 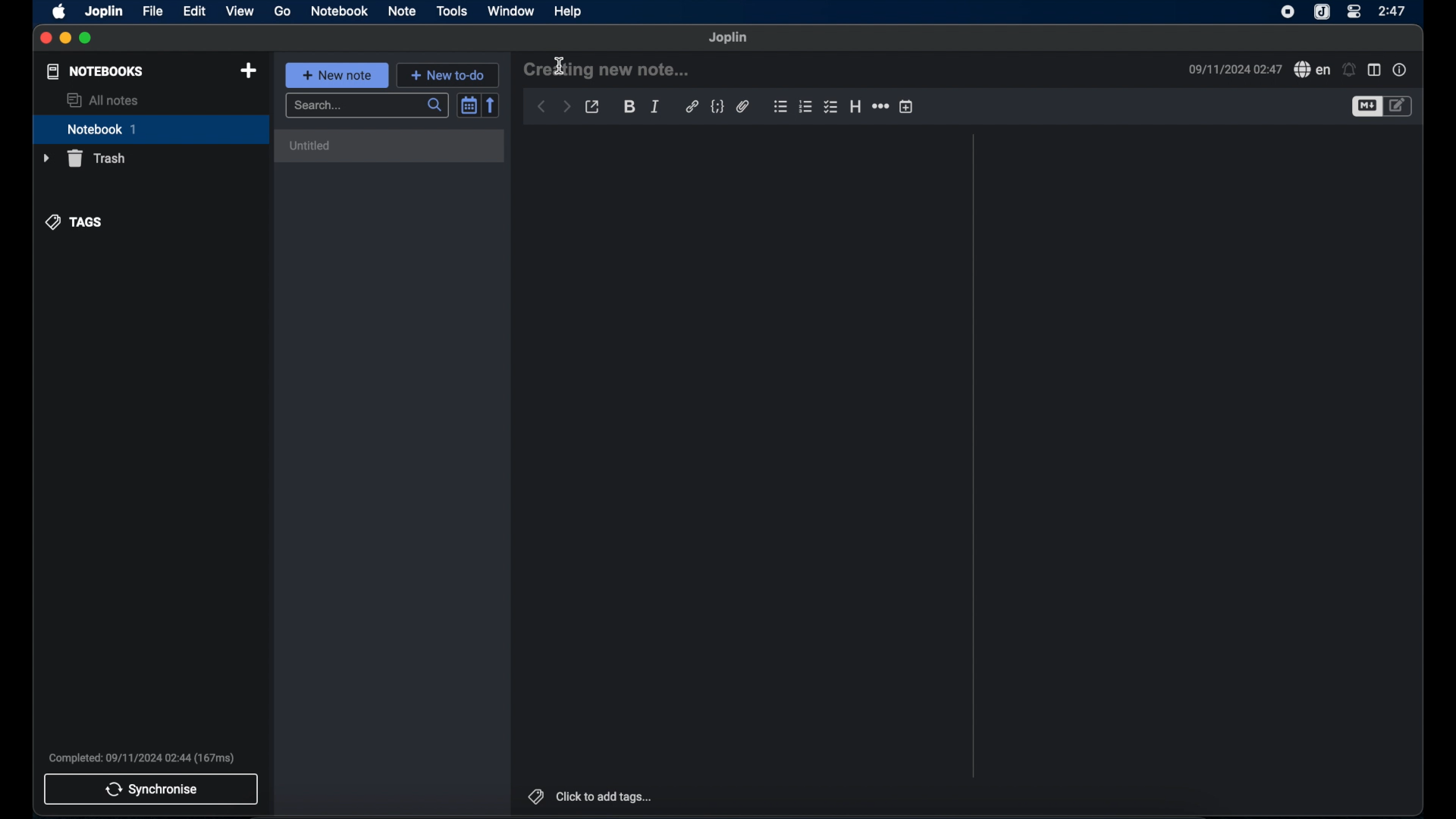 I want to click on note properties, so click(x=1399, y=69).